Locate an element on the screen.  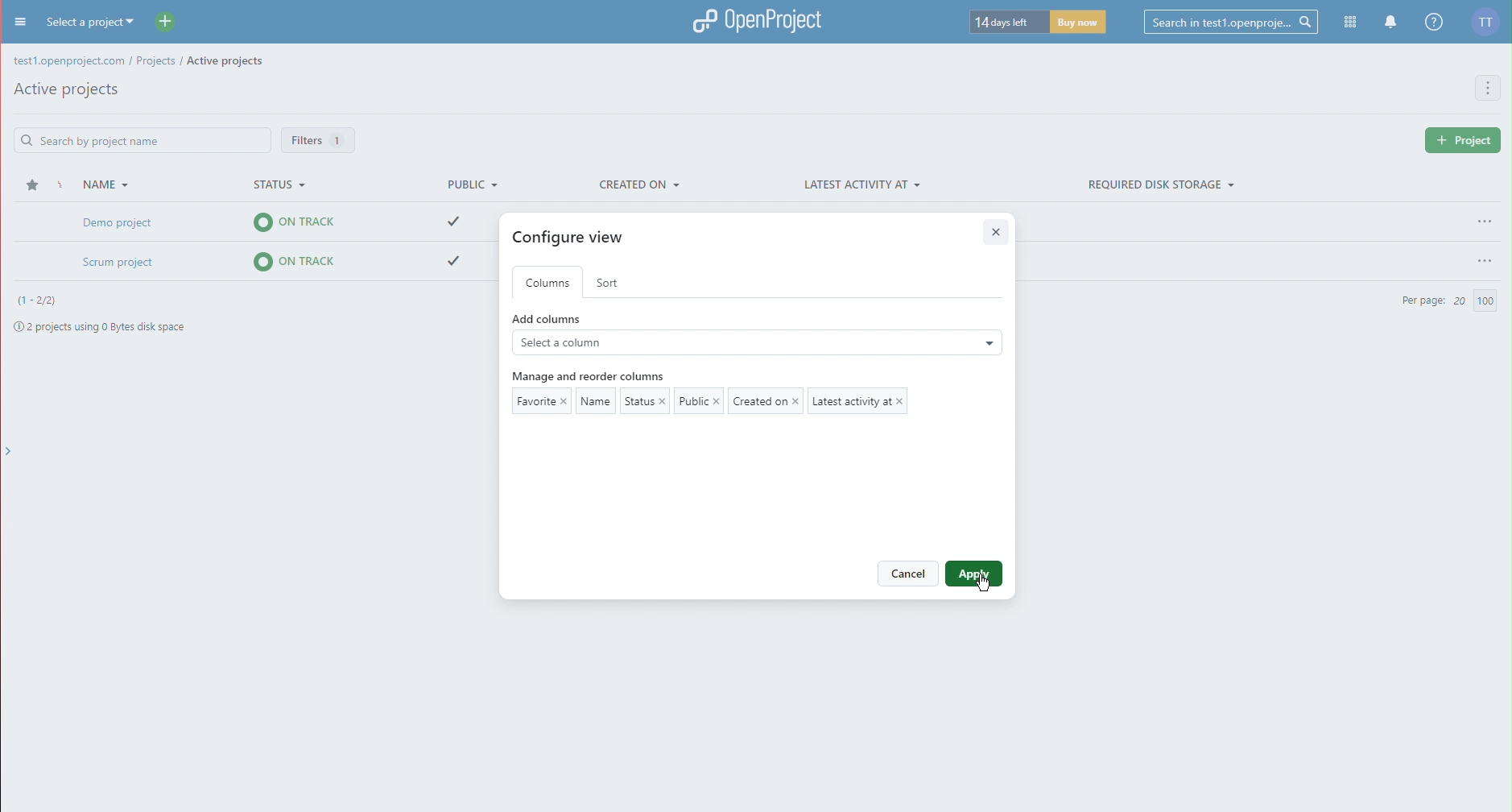
Close is located at coordinates (997, 232).